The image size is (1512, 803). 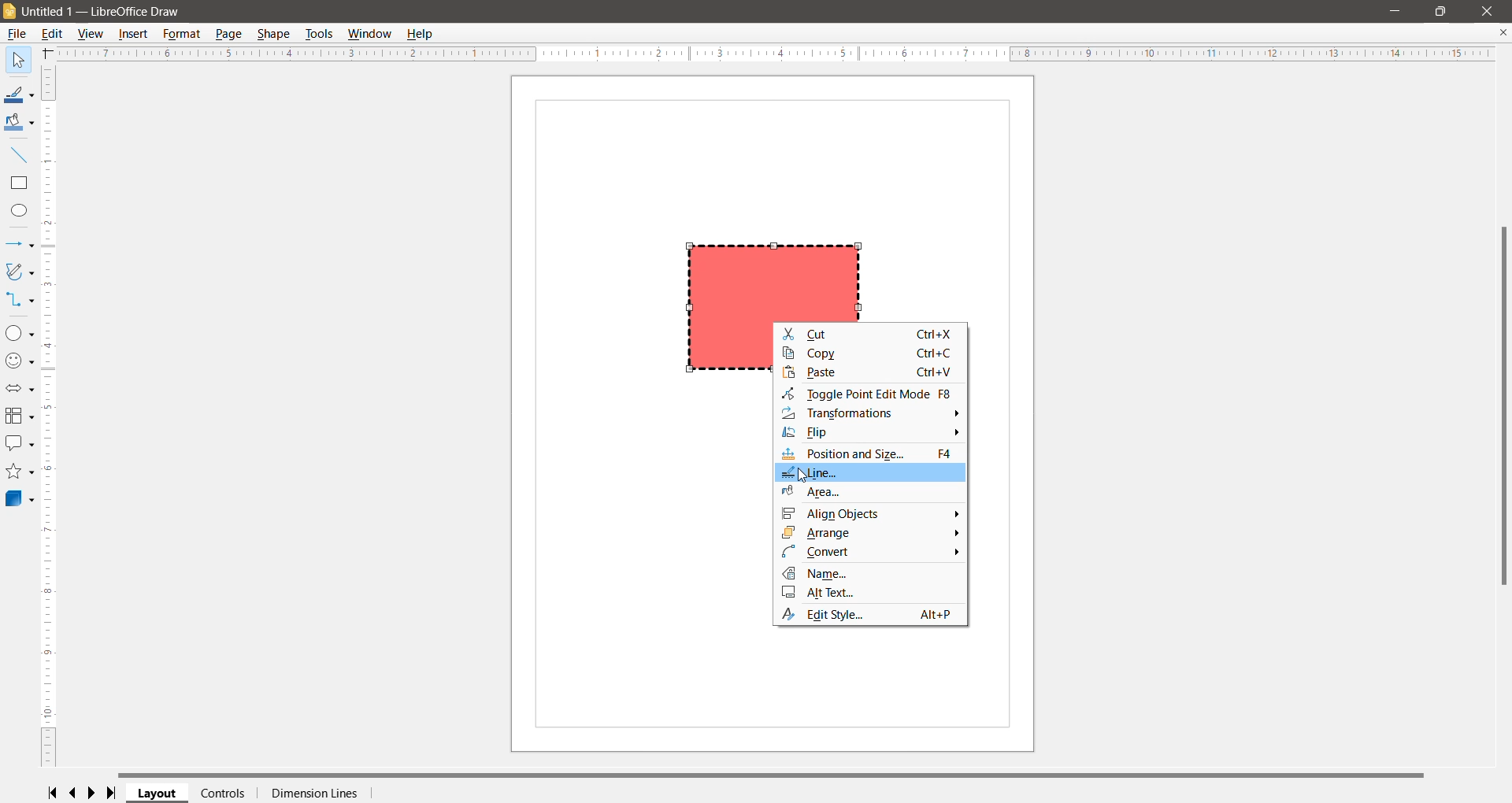 What do you see at coordinates (20, 362) in the screenshot?
I see `Symbol Shapes` at bounding box center [20, 362].